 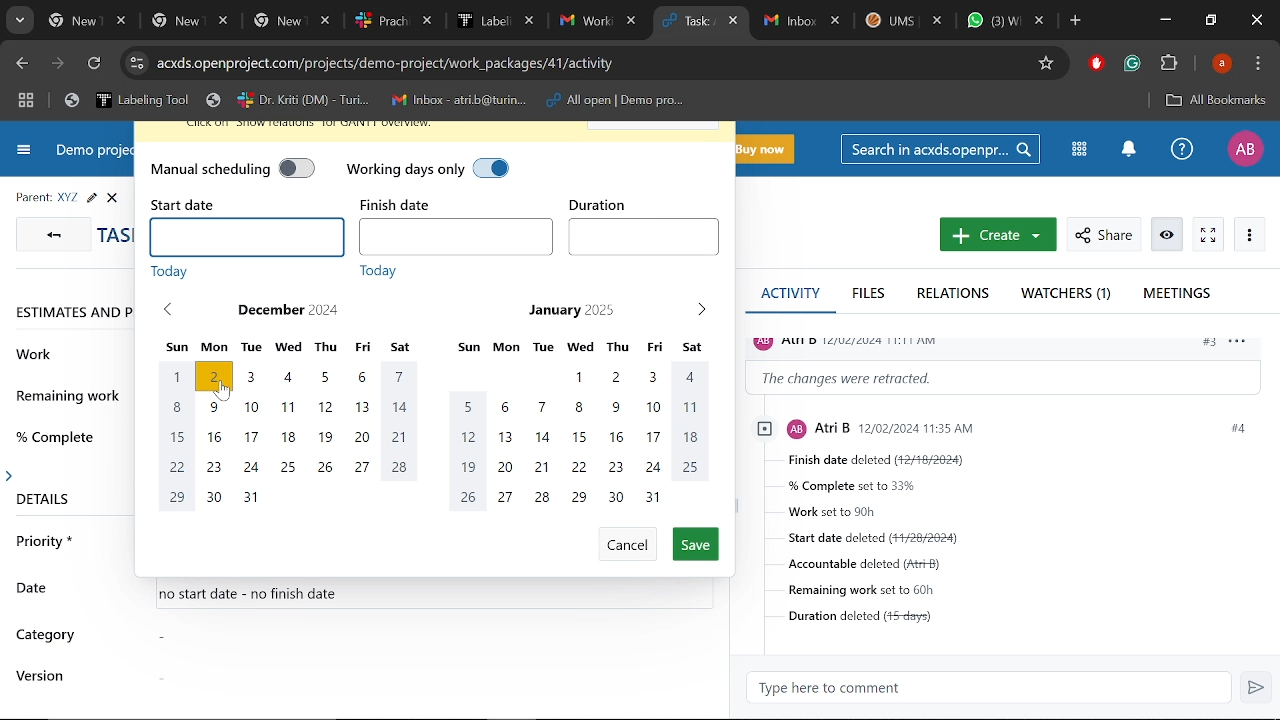 What do you see at coordinates (290, 421) in the screenshot?
I see `Month of December` at bounding box center [290, 421].